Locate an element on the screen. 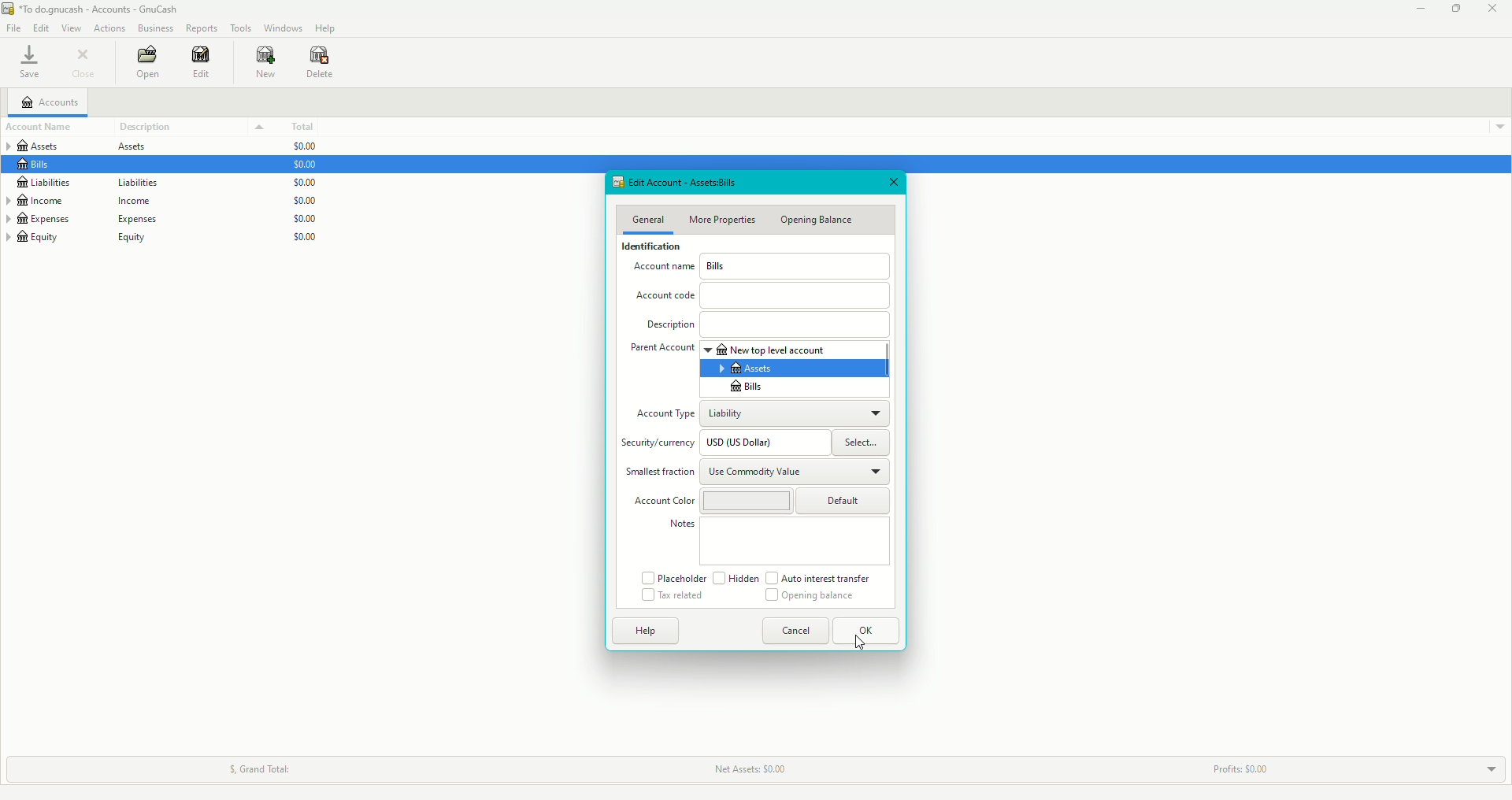 This screenshot has width=1512, height=800. OK is located at coordinates (867, 631).